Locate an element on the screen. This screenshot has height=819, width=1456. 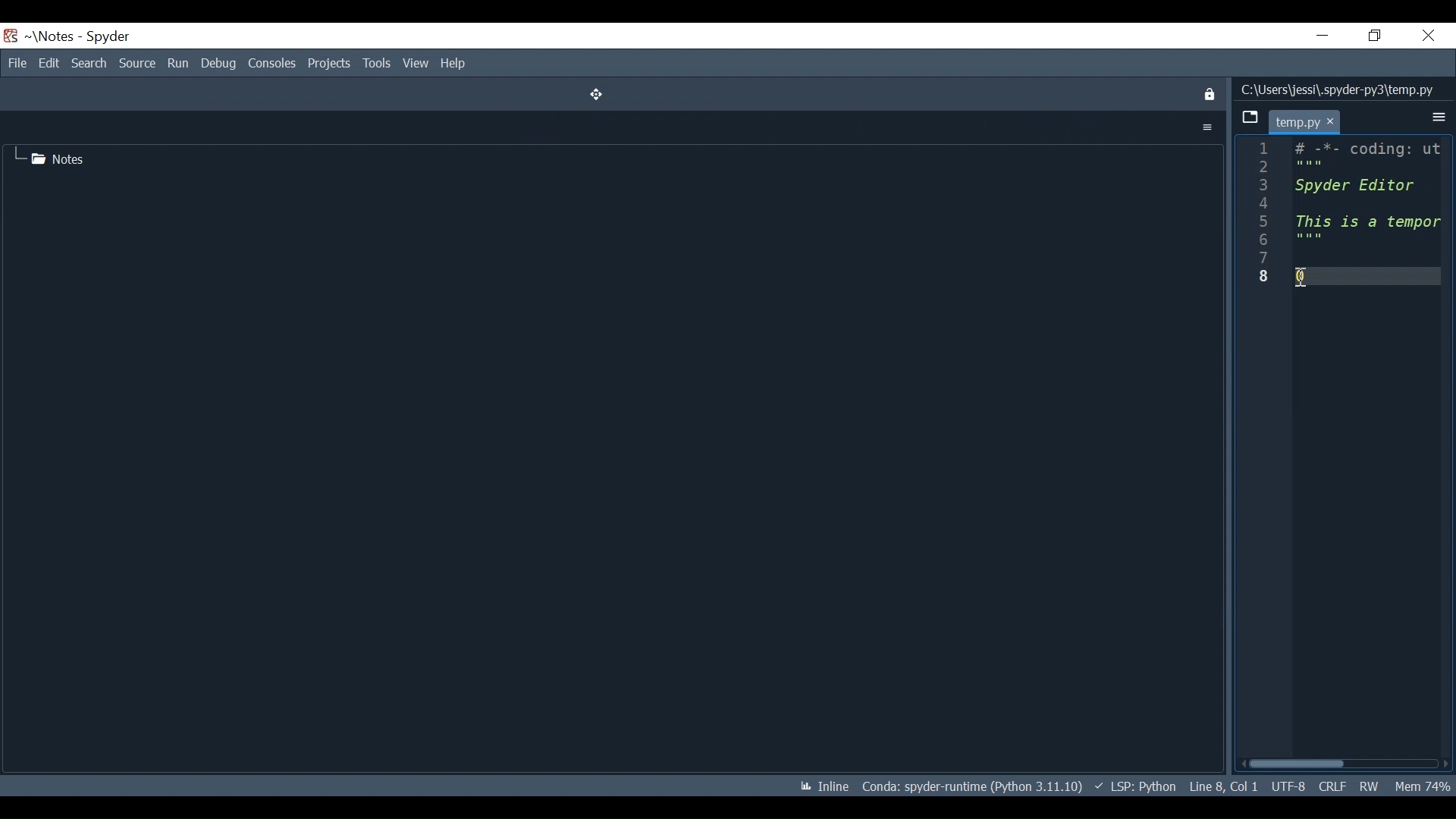
Debug is located at coordinates (219, 64).